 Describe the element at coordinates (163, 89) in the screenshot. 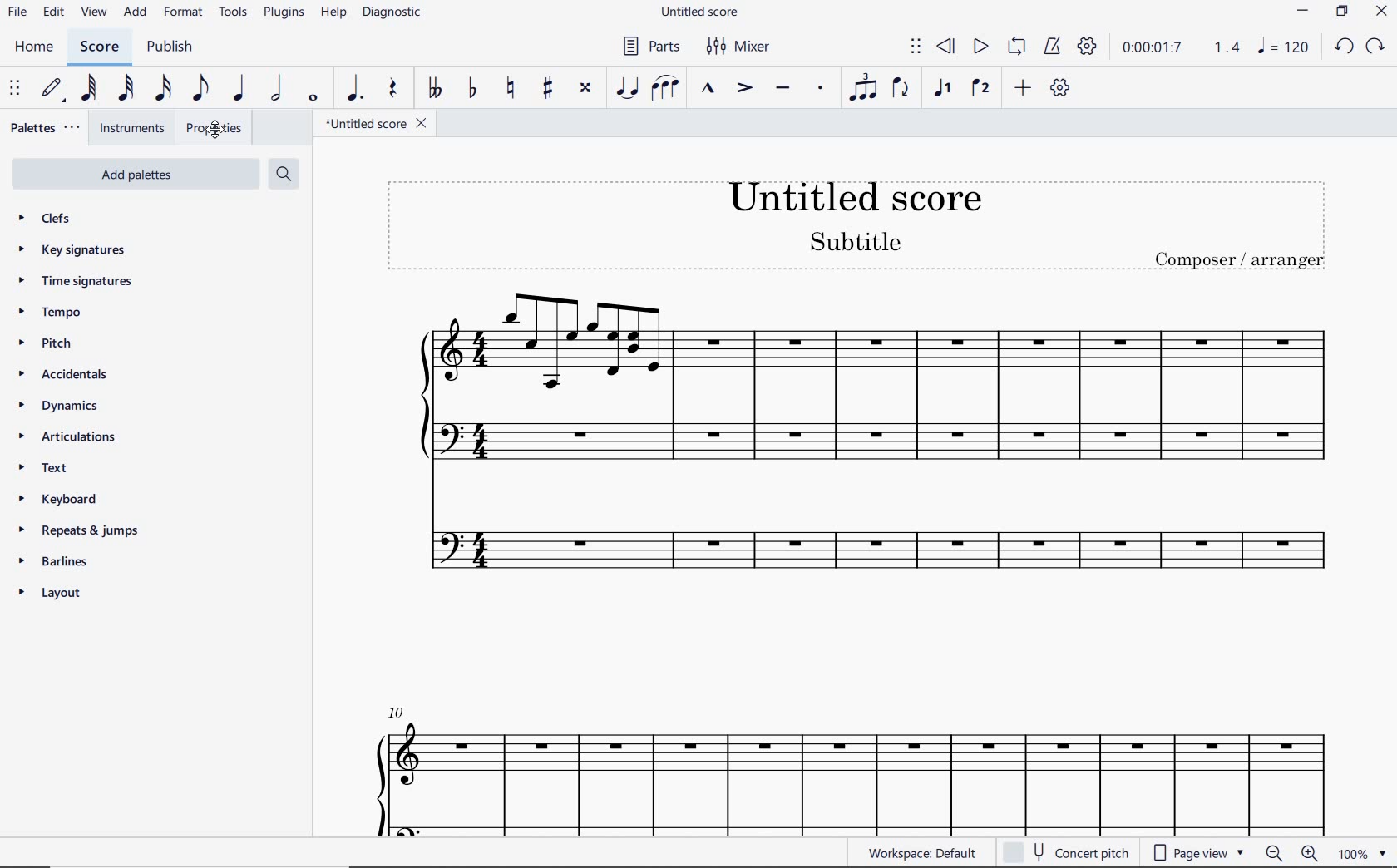

I see `16TH NOTE` at that location.